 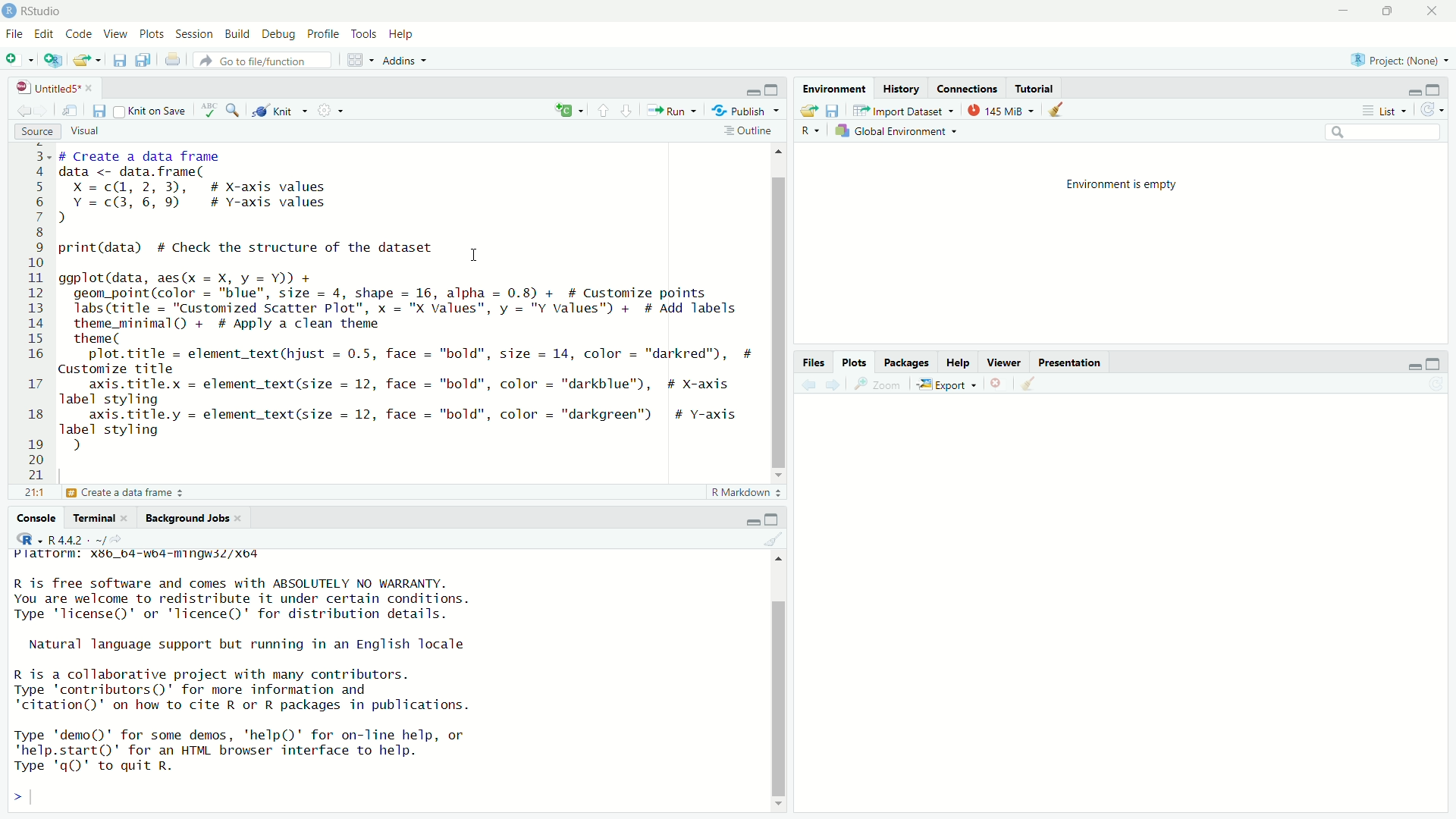 What do you see at coordinates (997, 385) in the screenshot?
I see `delete selected files or folder` at bounding box center [997, 385].